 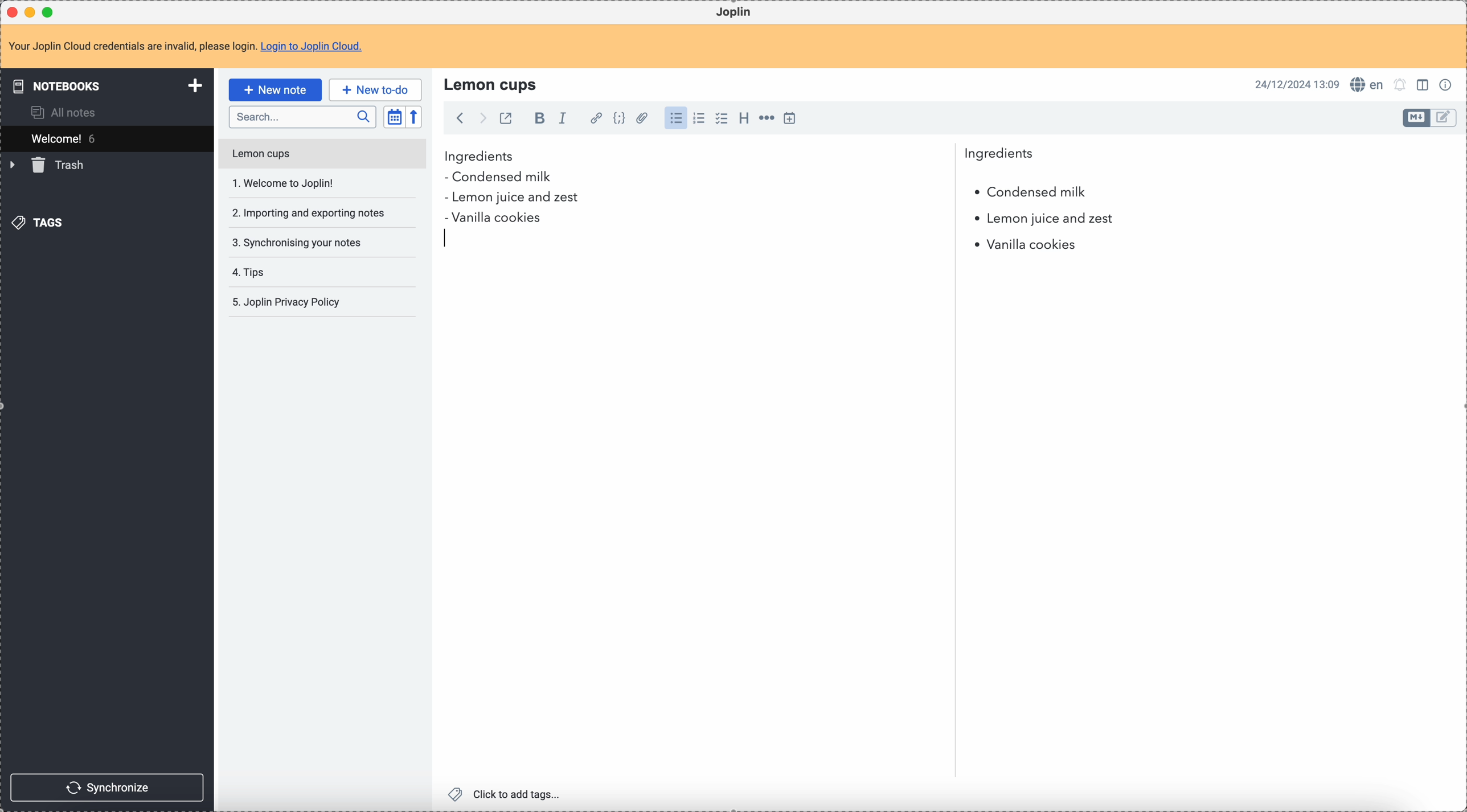 I want to click on hyperlink, so click(x=594, y=119).